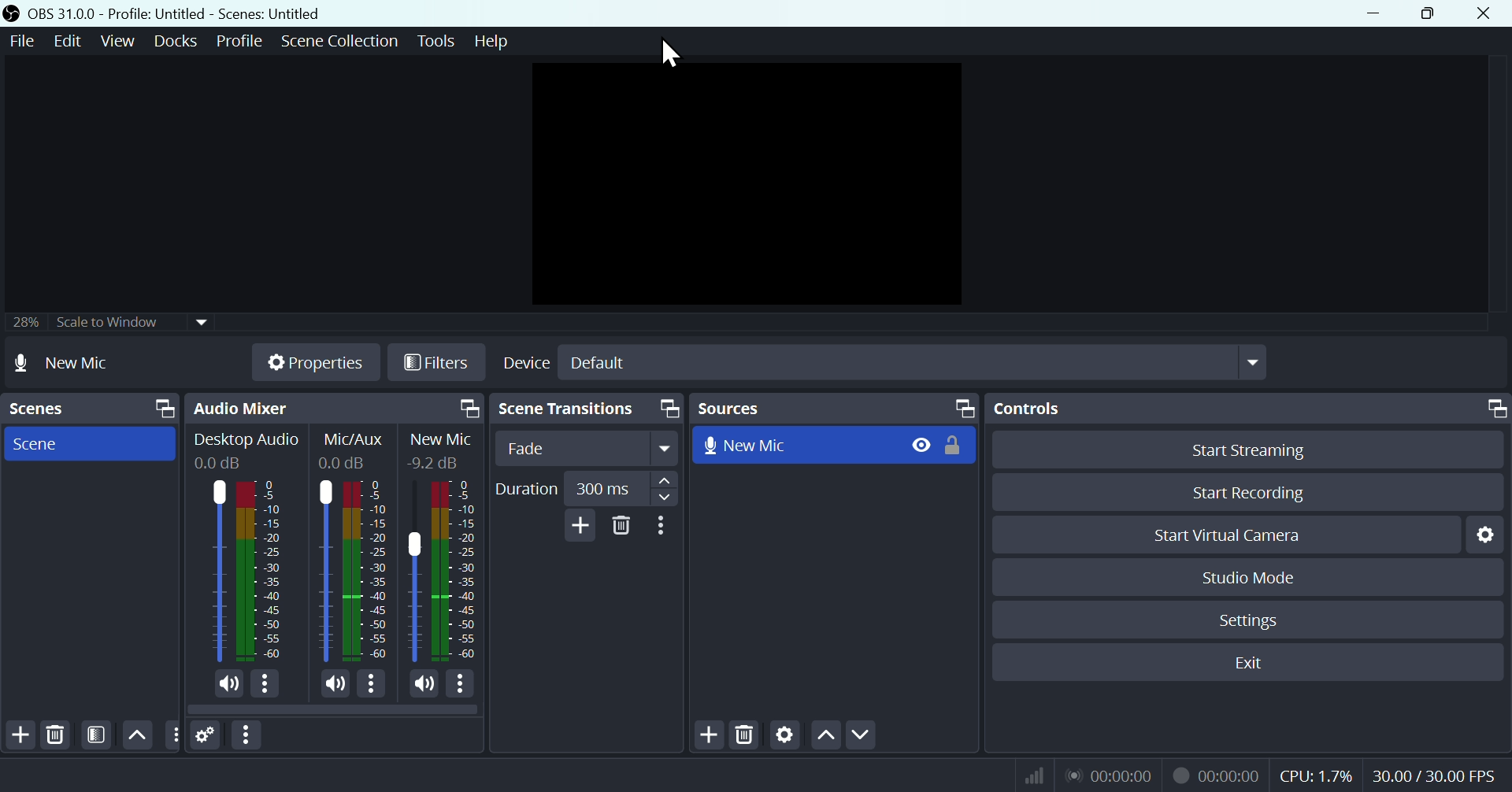  What do you see at coordinates (19, 735) in the screenshot?
I see `Add` at bounding box center [19, 735].